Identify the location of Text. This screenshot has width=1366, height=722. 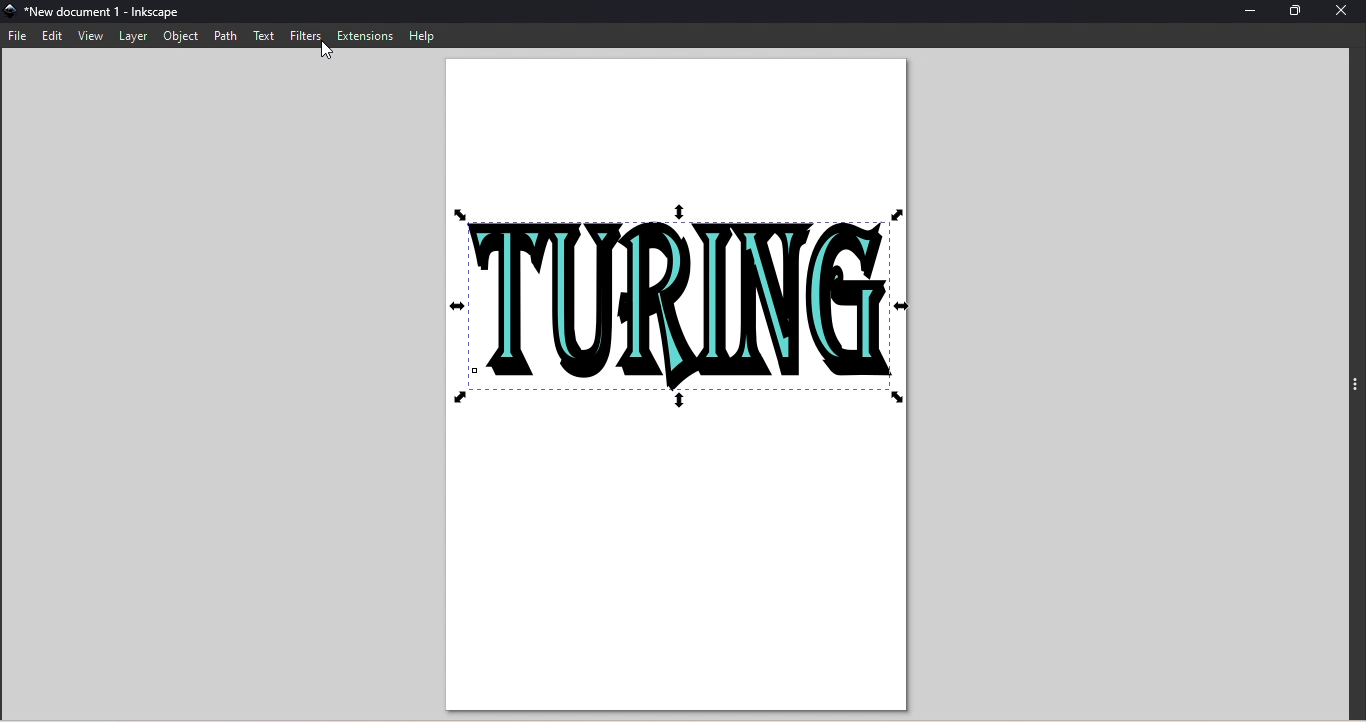
(262, 35).